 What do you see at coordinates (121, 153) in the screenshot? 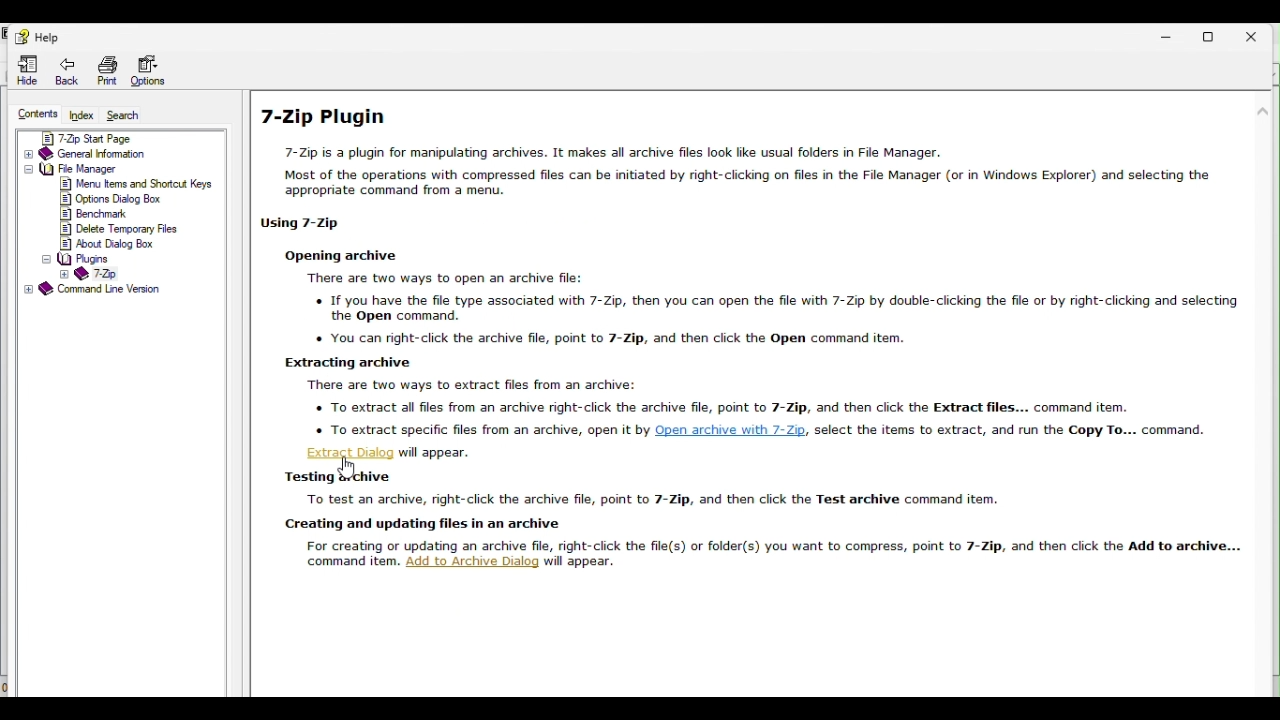
I see `General information` at bounding box center [121, 153].